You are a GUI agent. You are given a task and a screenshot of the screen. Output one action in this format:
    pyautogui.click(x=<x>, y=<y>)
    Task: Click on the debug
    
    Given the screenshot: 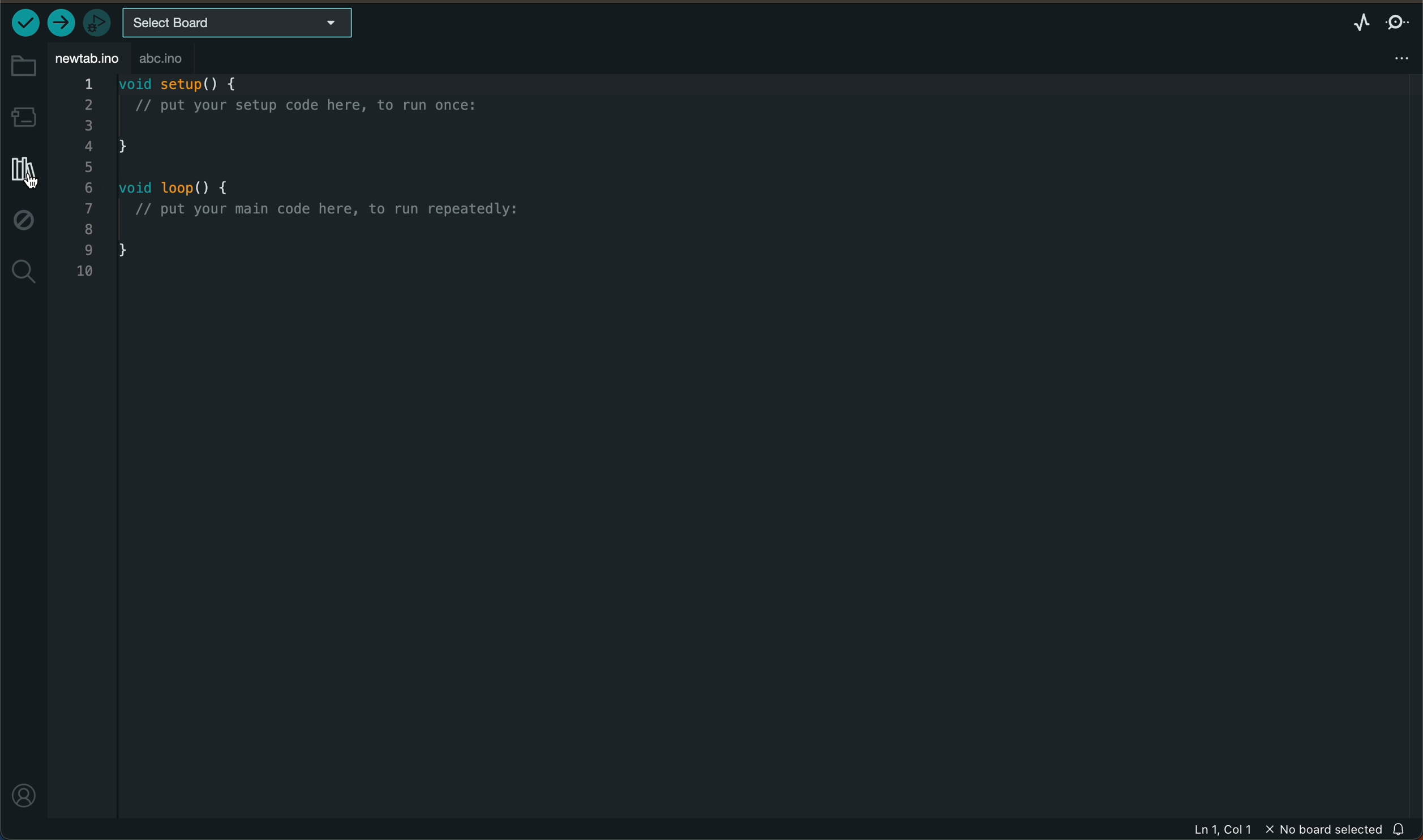 What is the action you would take?
    pyautogui.click(x=25, y=222)
    